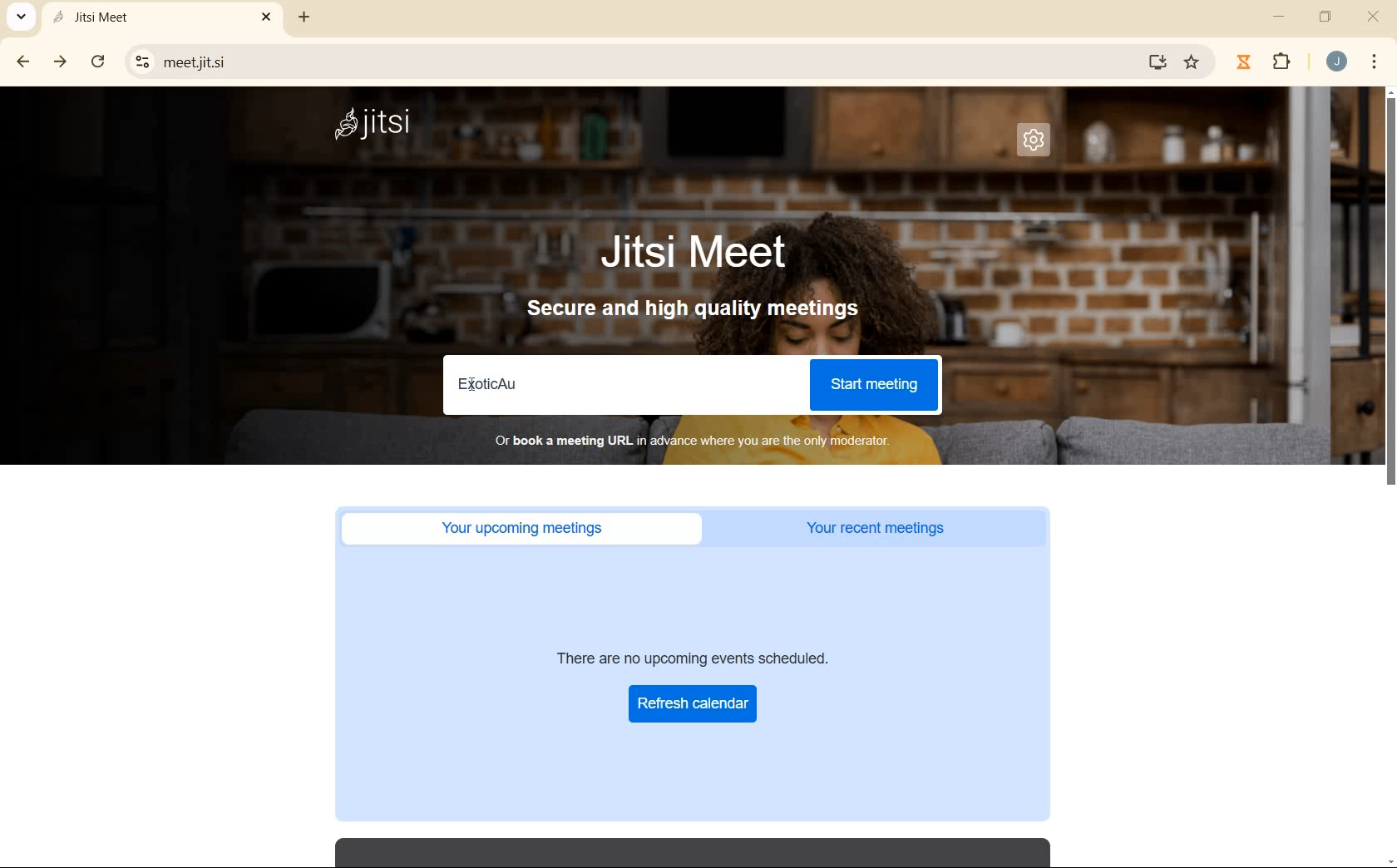 This screenshot has width=1397, height=868. I want to click on cursor, so click(475, 382).